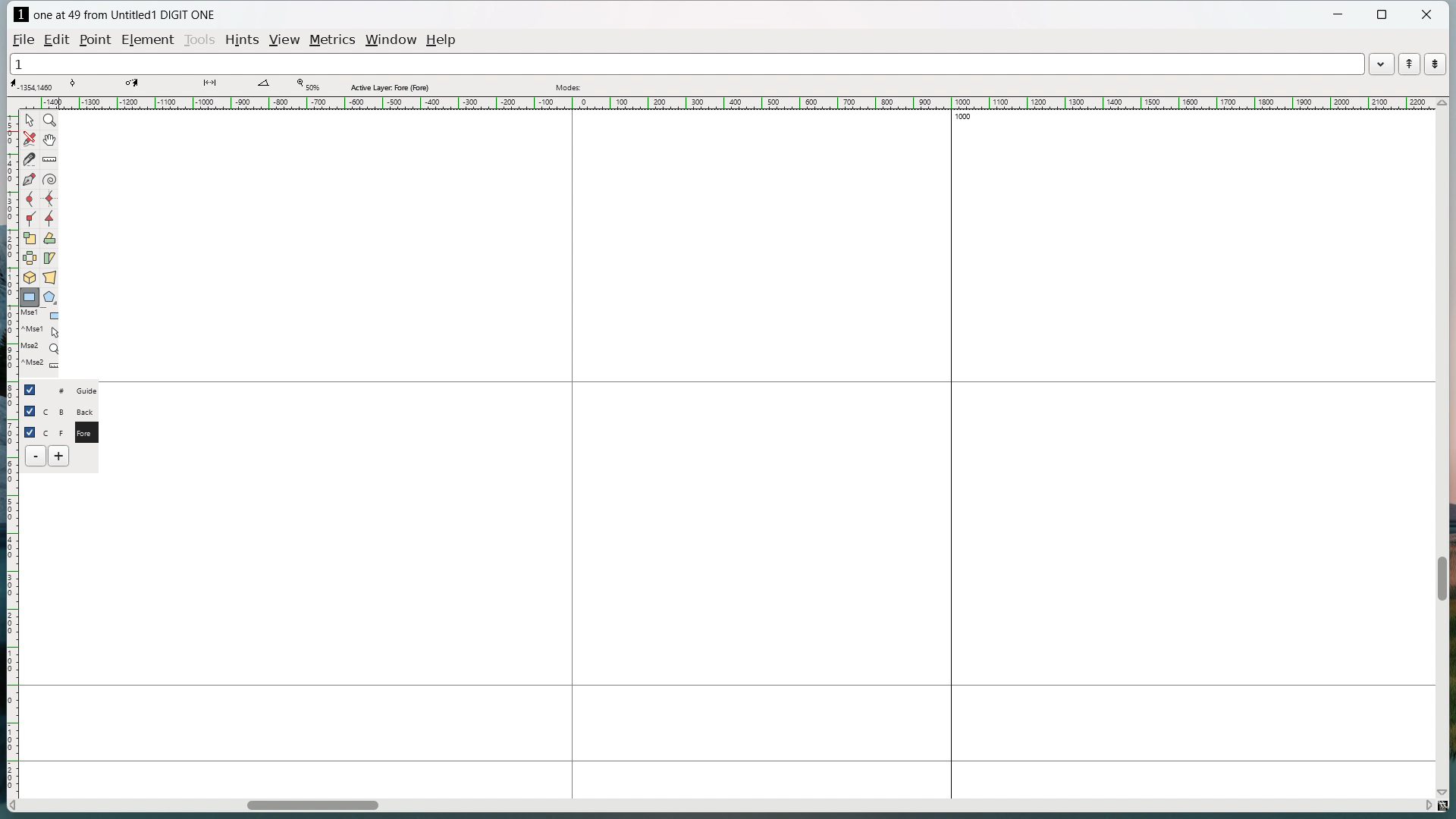  I want to click on measure distance or angle, so click(51, 158).